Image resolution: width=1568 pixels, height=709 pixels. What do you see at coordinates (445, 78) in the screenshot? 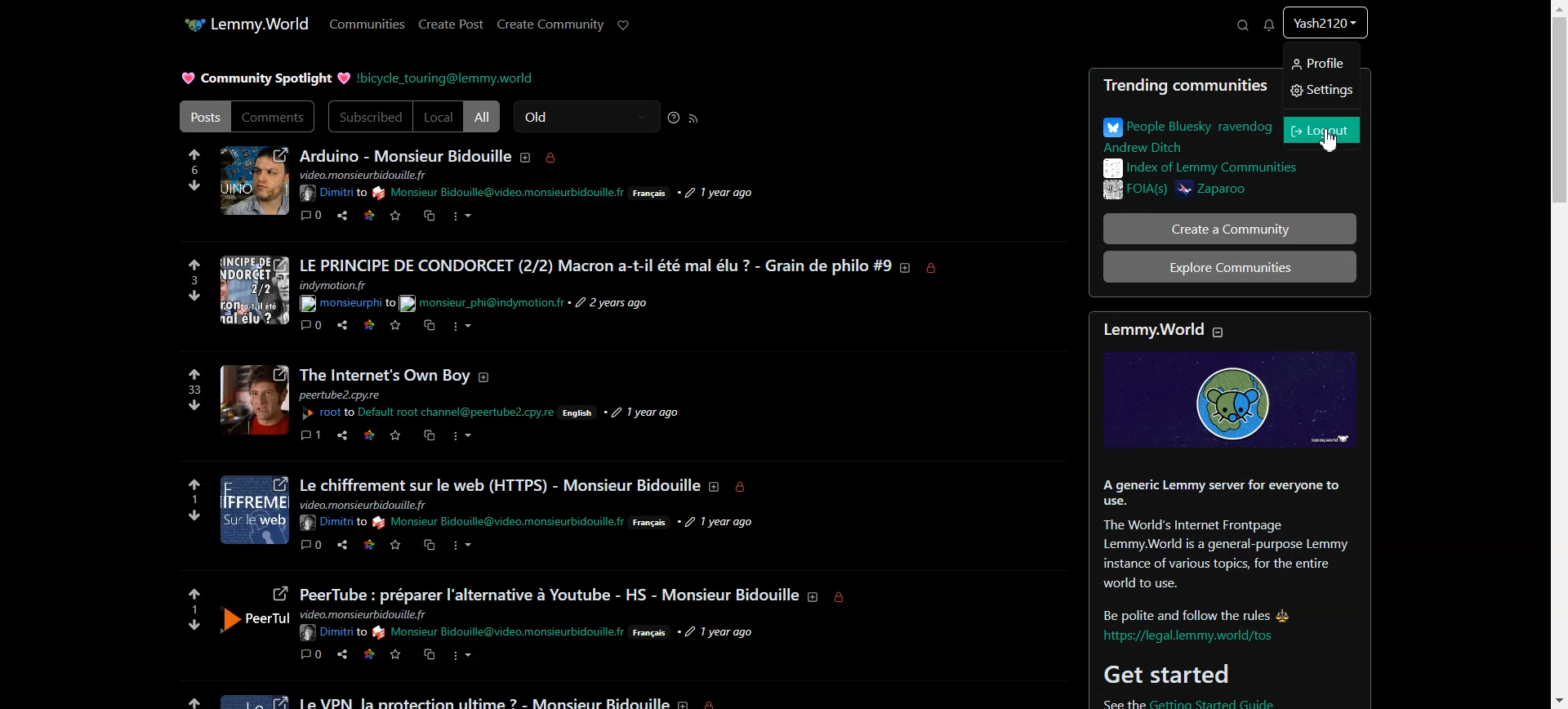
I see `Hyperlink` at bounding box center [445, 78].